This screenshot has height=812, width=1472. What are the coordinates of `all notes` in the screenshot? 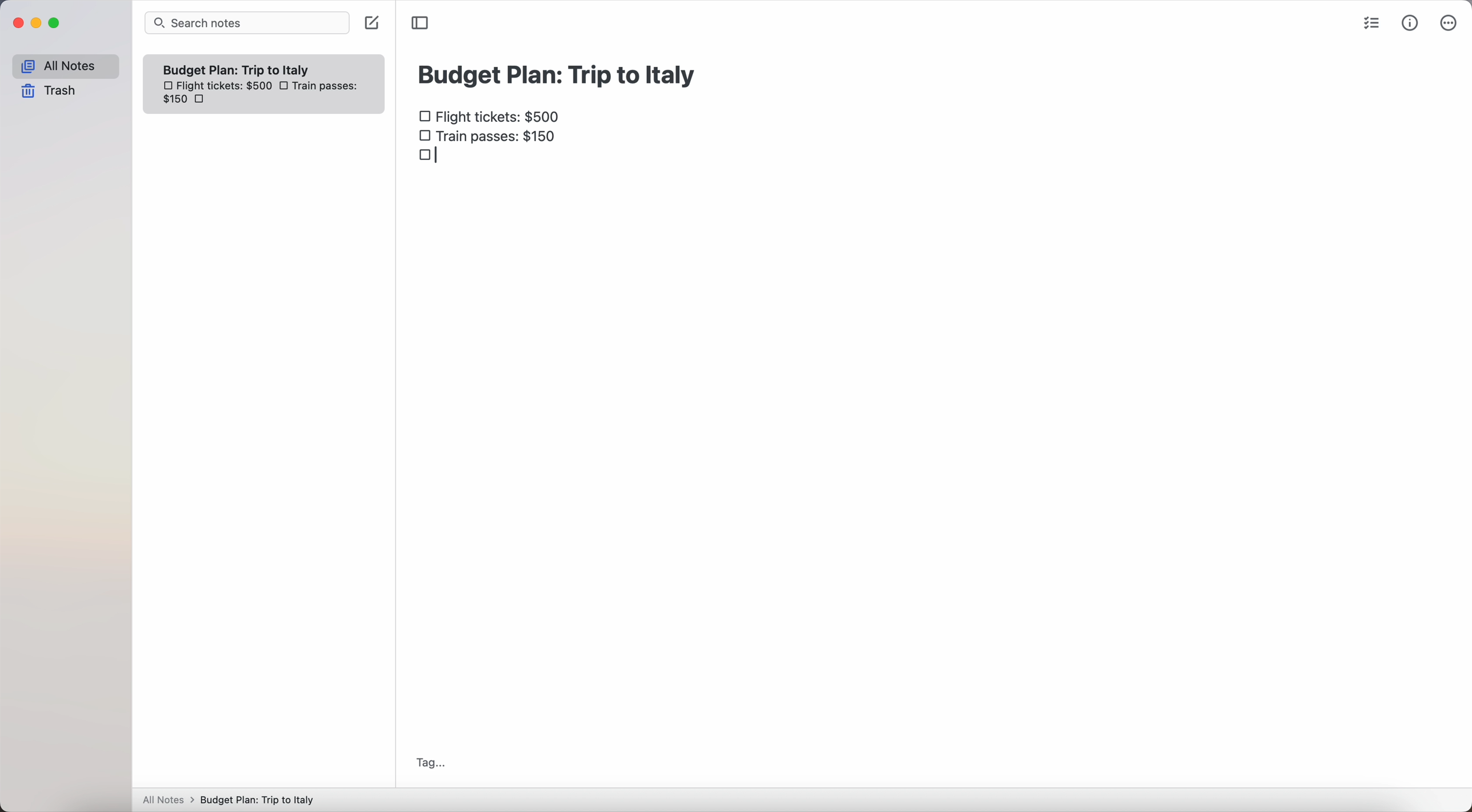 It's located at (65, 66).